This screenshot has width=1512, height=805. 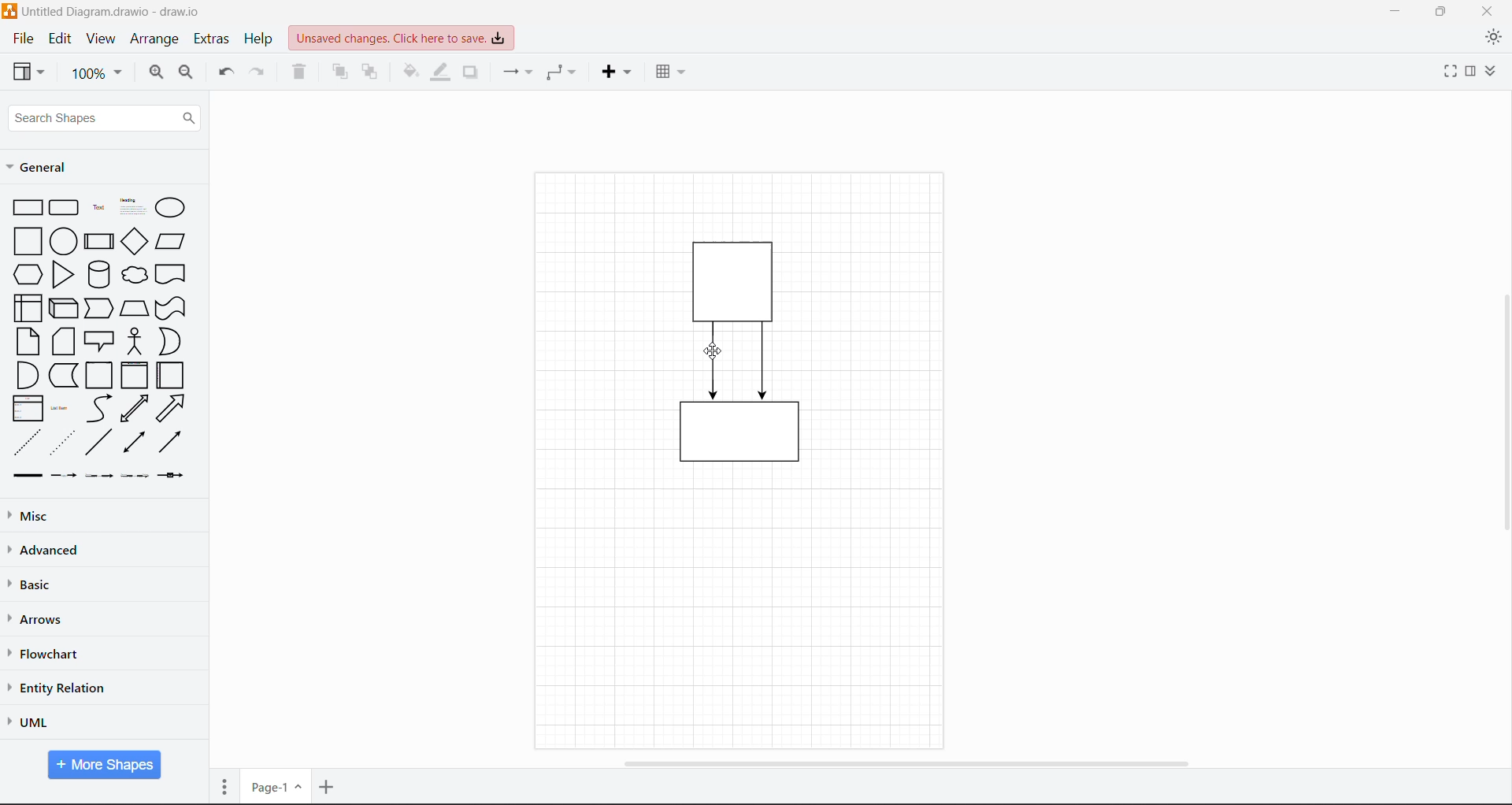 I want to click on Horizontal Scroll Bar, so click(x=904, y=763).